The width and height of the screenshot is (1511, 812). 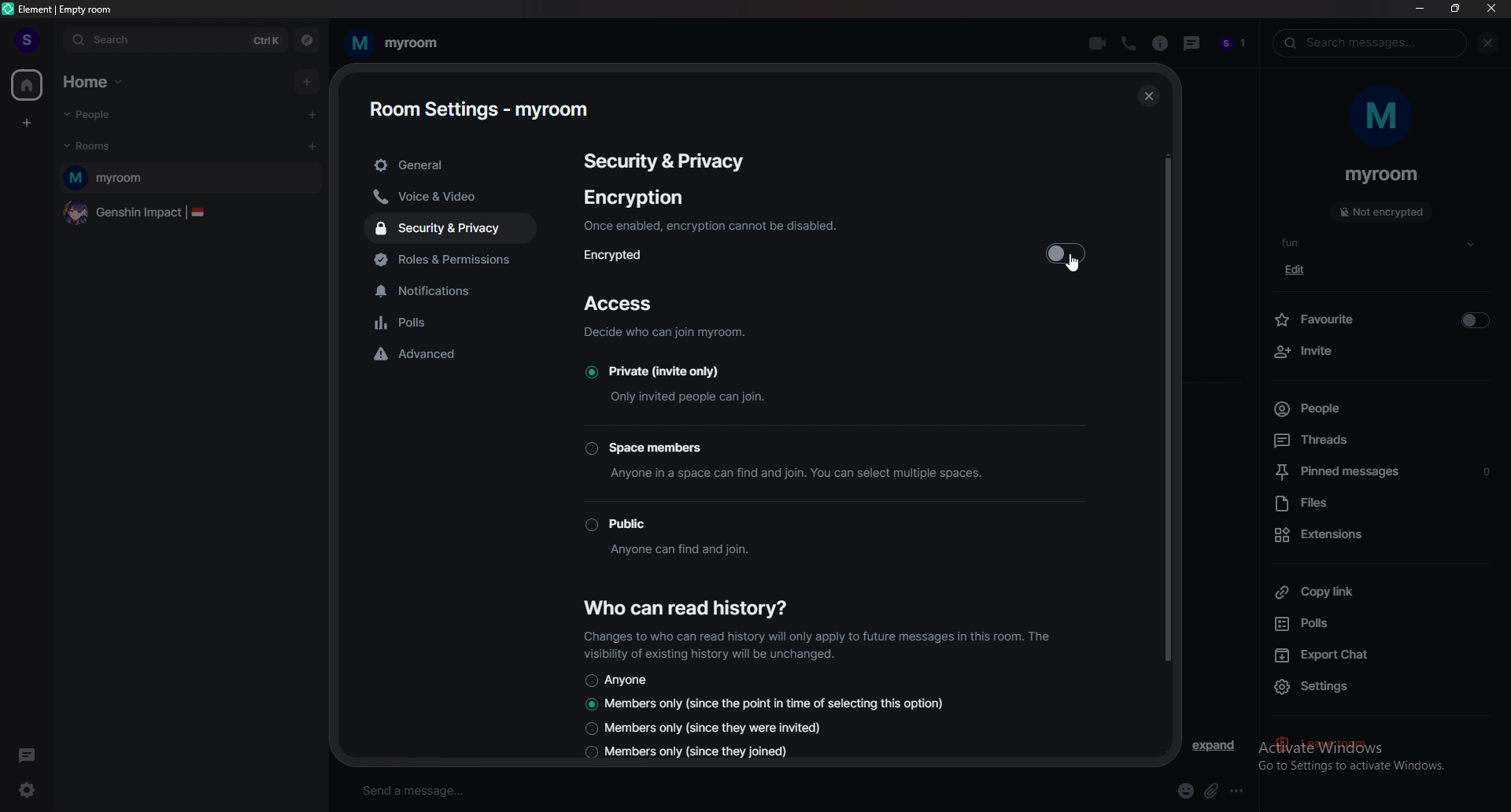 What do you see at coordinates (1383, 175) in the screenshot?
I see `myroom` at bounding box center [1383, 175].